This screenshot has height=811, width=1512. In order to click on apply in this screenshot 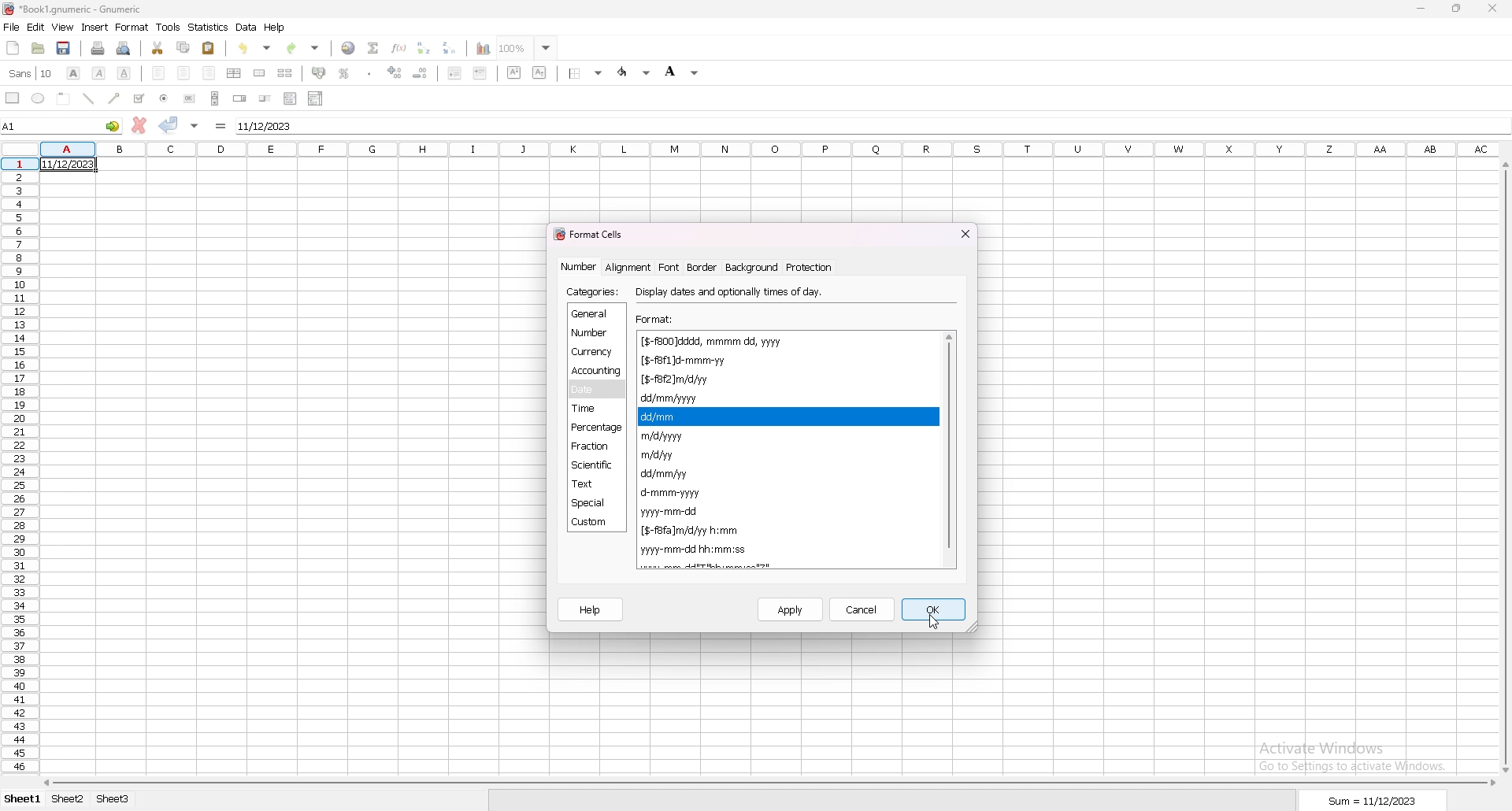, I will do `click(791, 610)`.